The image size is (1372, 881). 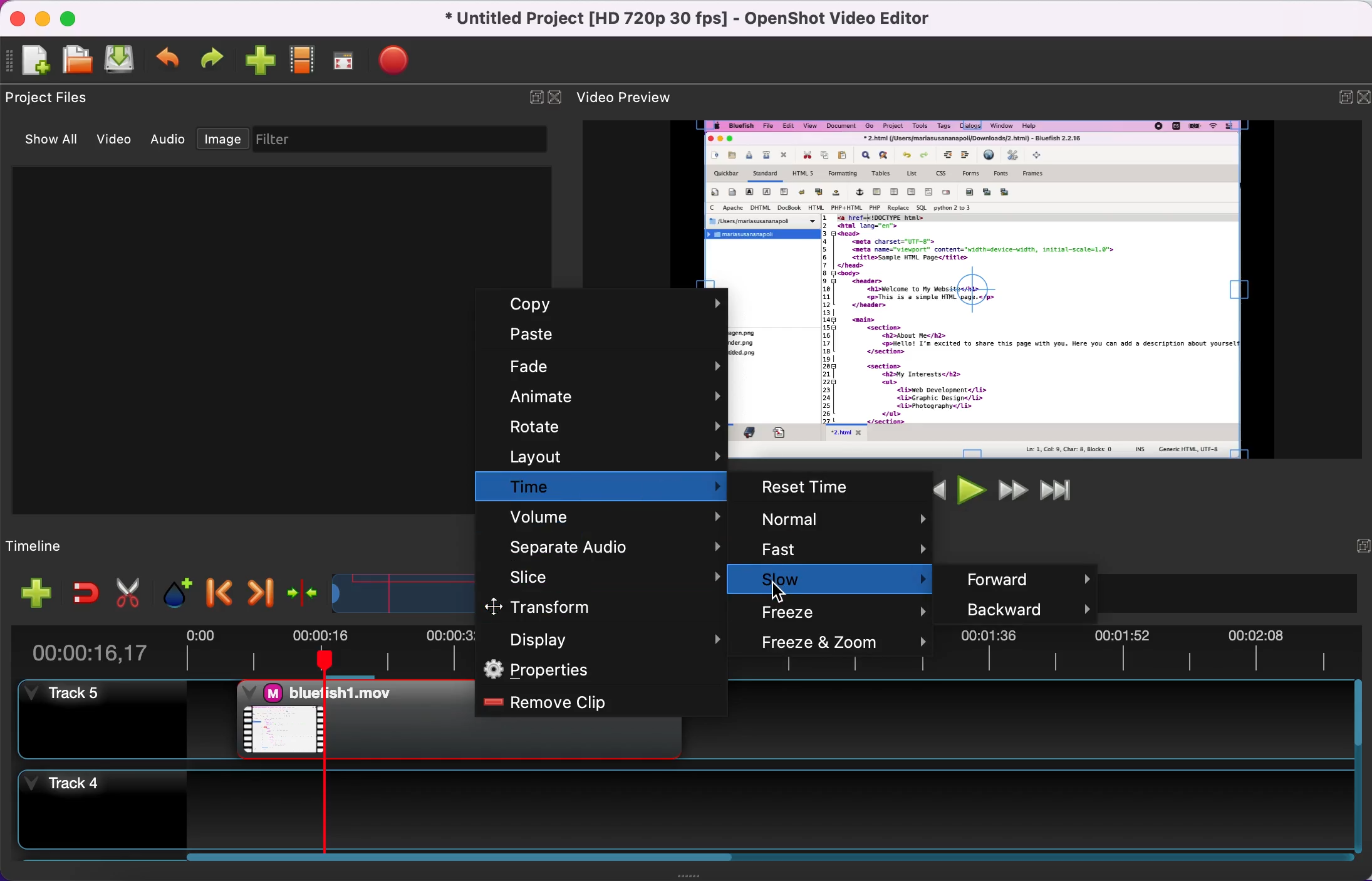 What do you see at coordinates (216, 58) in the screenshot?
I see `redo` at bounding box center [216, 58].